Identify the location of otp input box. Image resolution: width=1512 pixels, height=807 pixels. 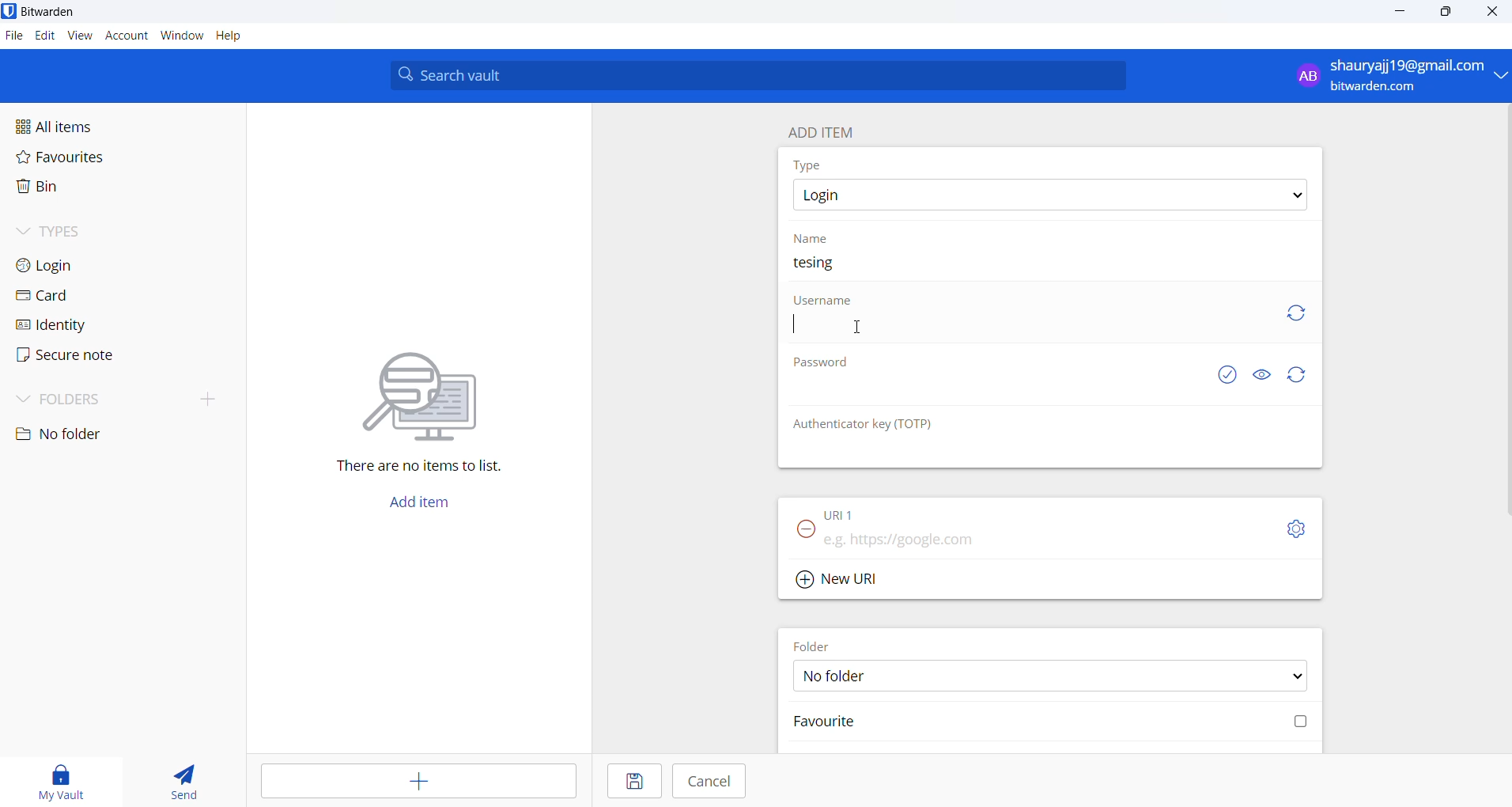
(1045, 453).